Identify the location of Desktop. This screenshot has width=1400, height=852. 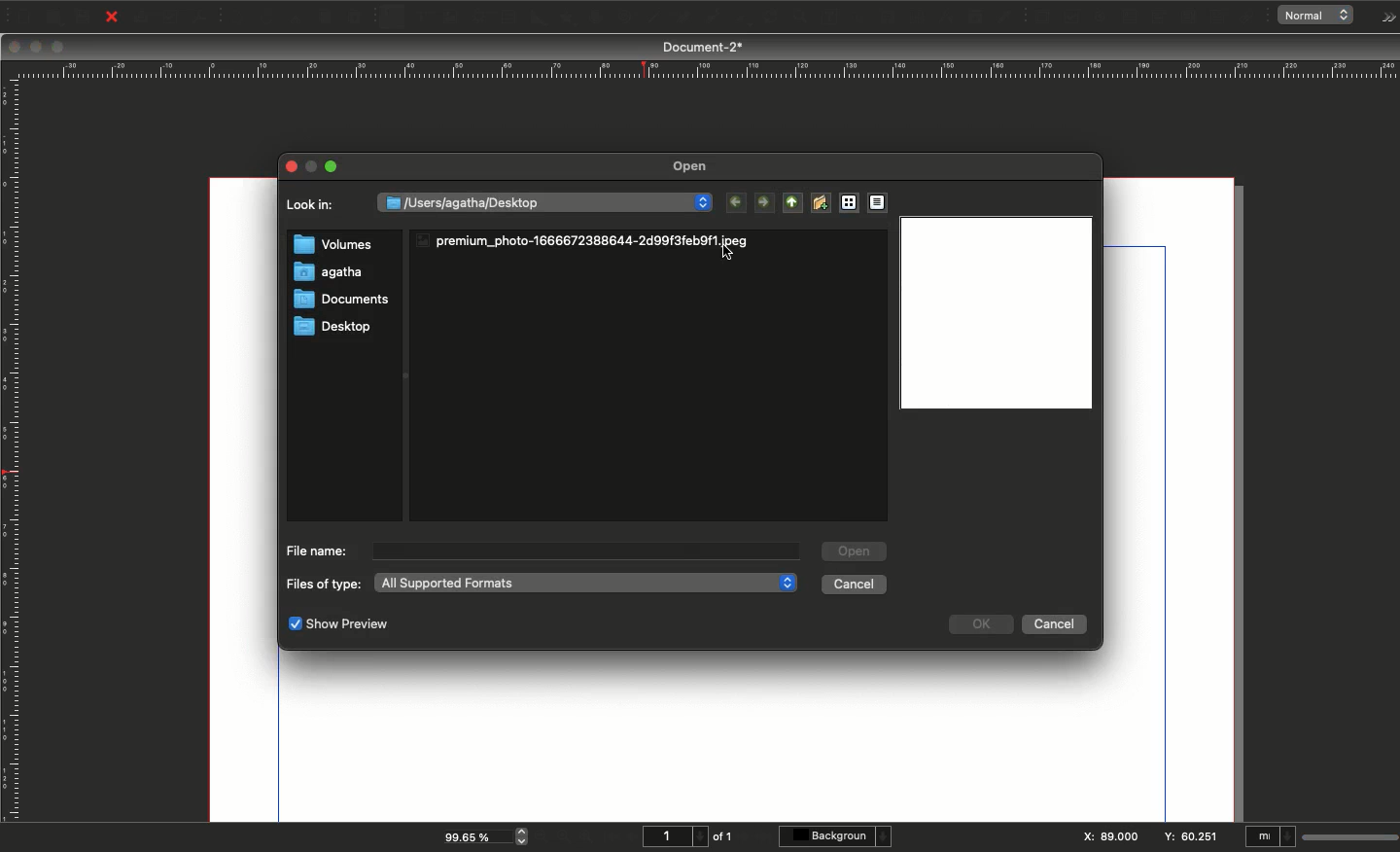
(333, 327).